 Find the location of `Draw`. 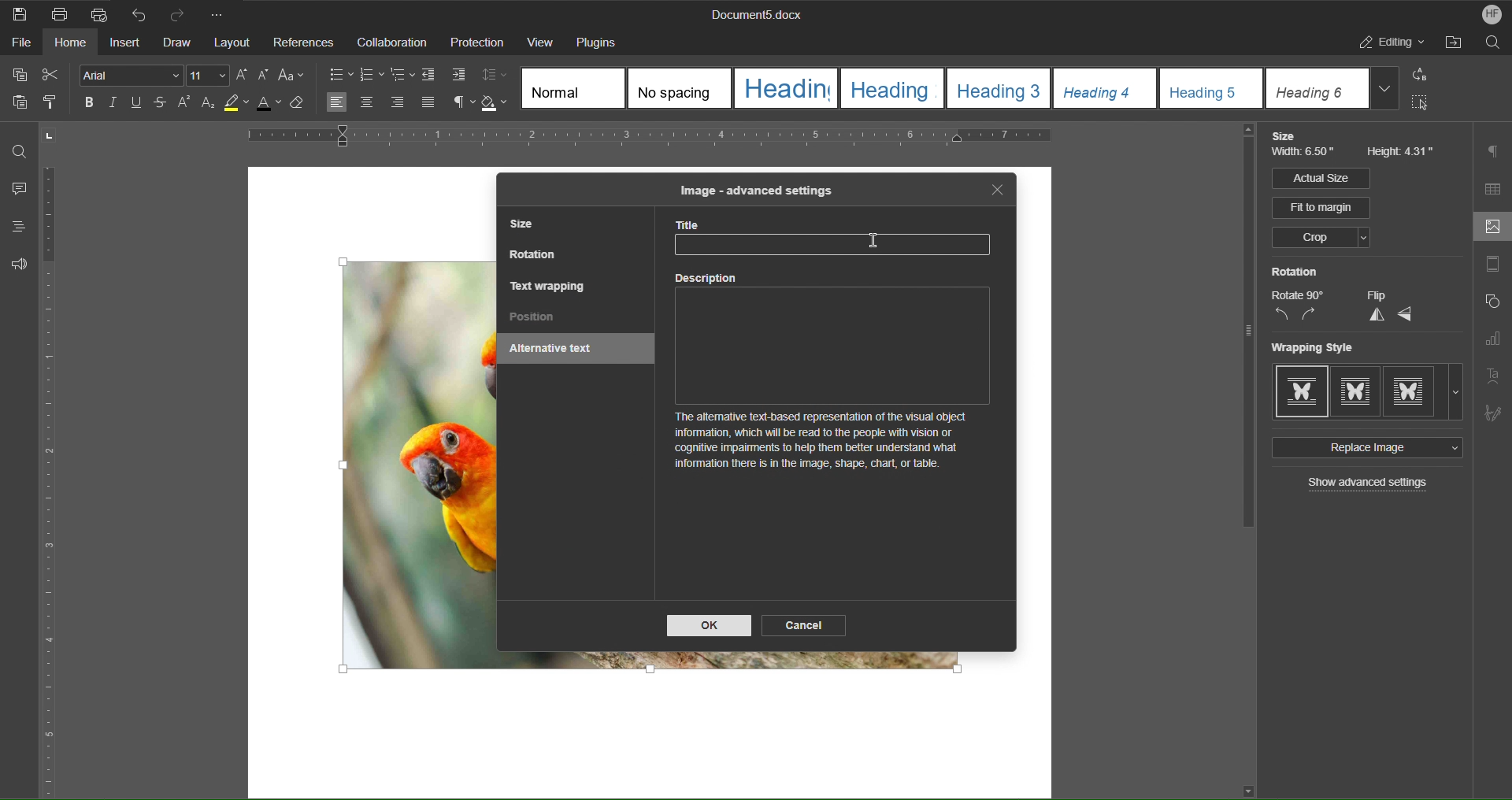

Draw is located at coordinates (179, 43).